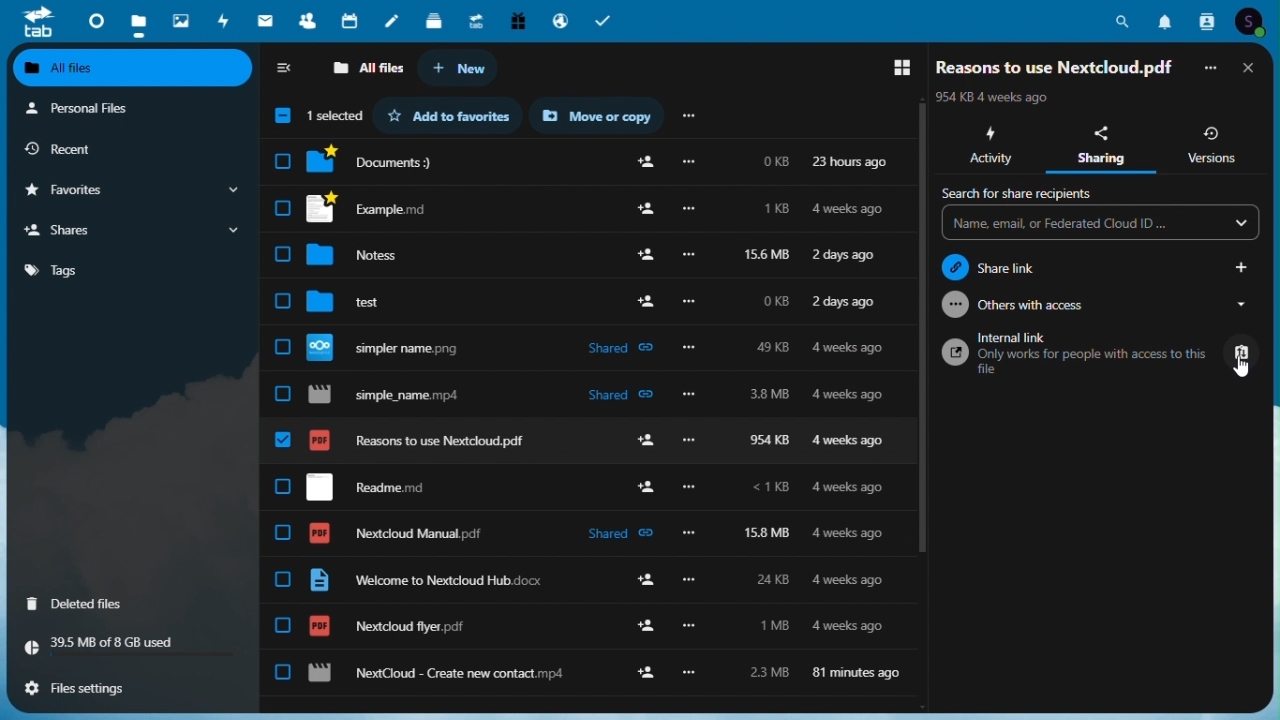  Describe the element at coordinates (847, 210) in the screenshot. I see `4 weeks ago` at that location.